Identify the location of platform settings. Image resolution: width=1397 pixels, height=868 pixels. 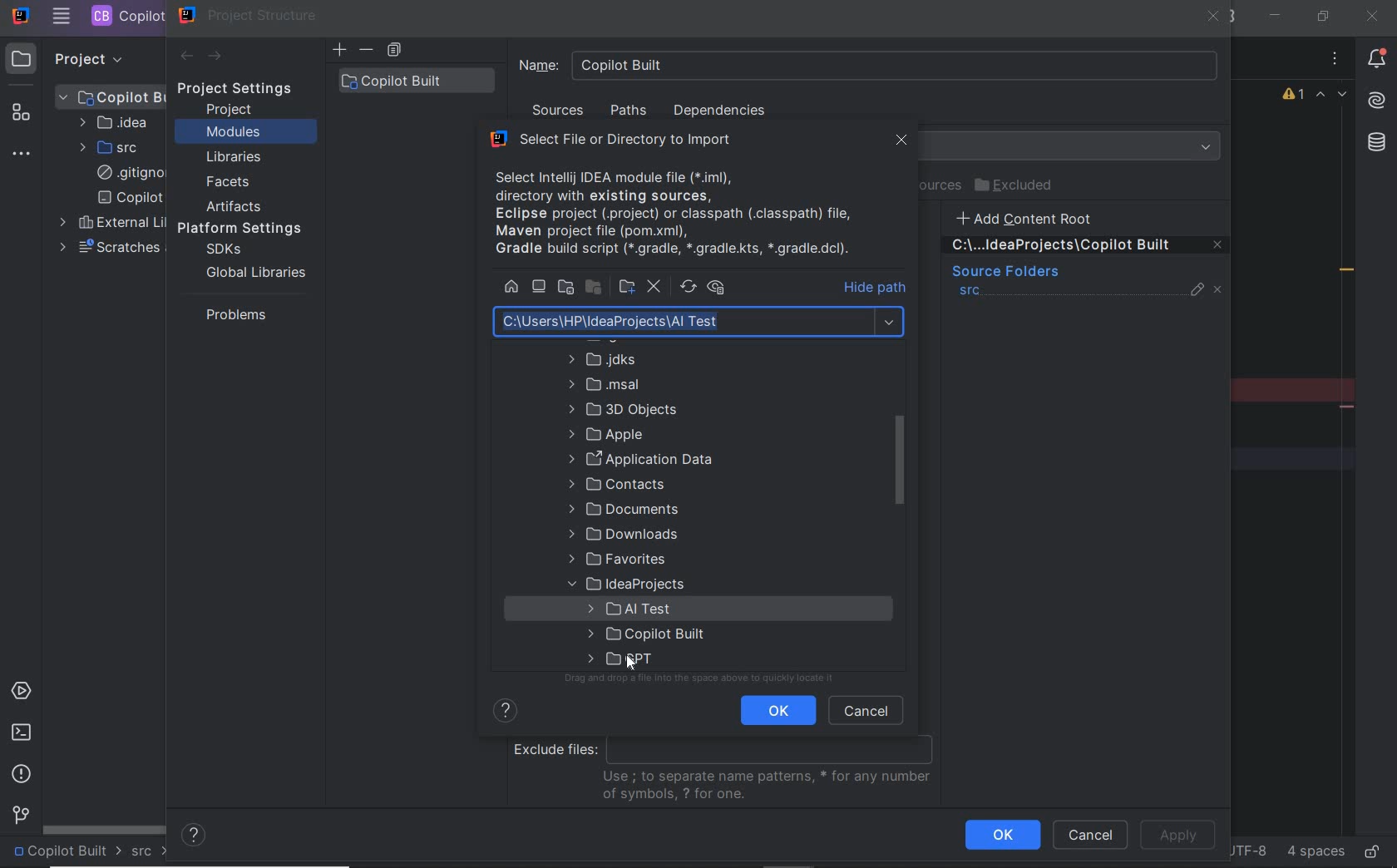
(245, 229).